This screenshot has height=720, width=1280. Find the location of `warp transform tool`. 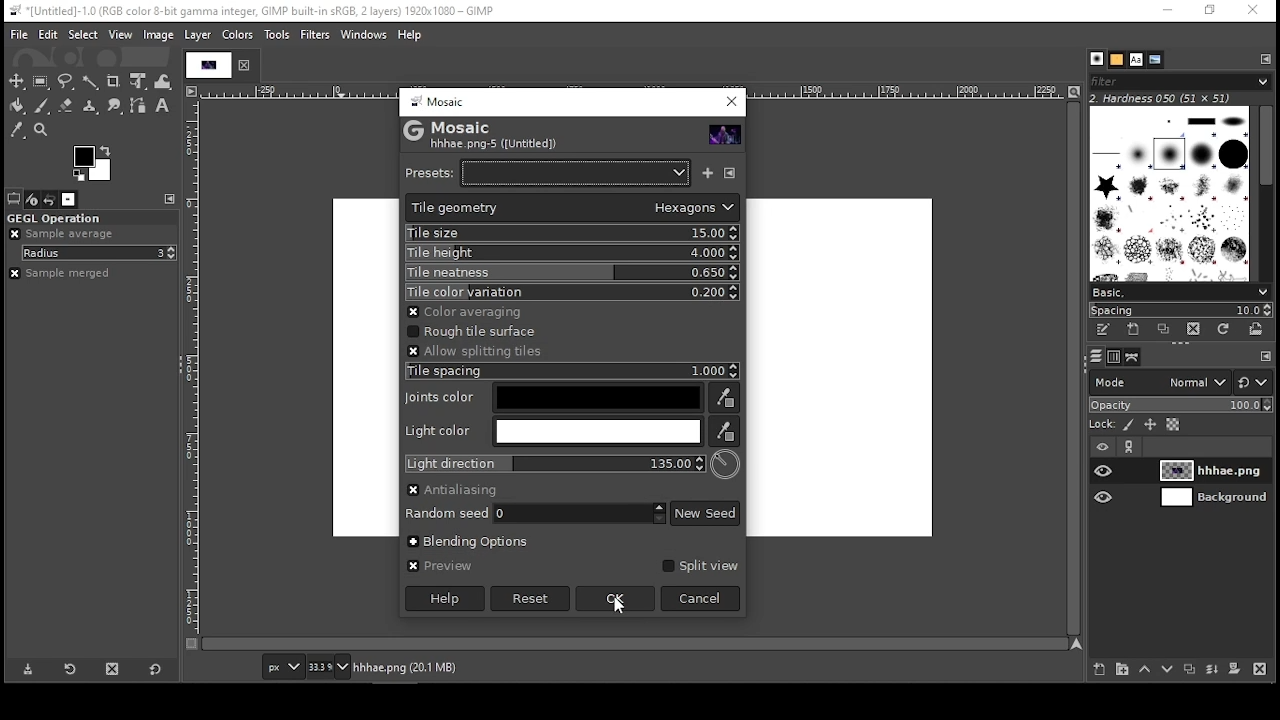

warp transform tool is located at coordinates (165, 81).